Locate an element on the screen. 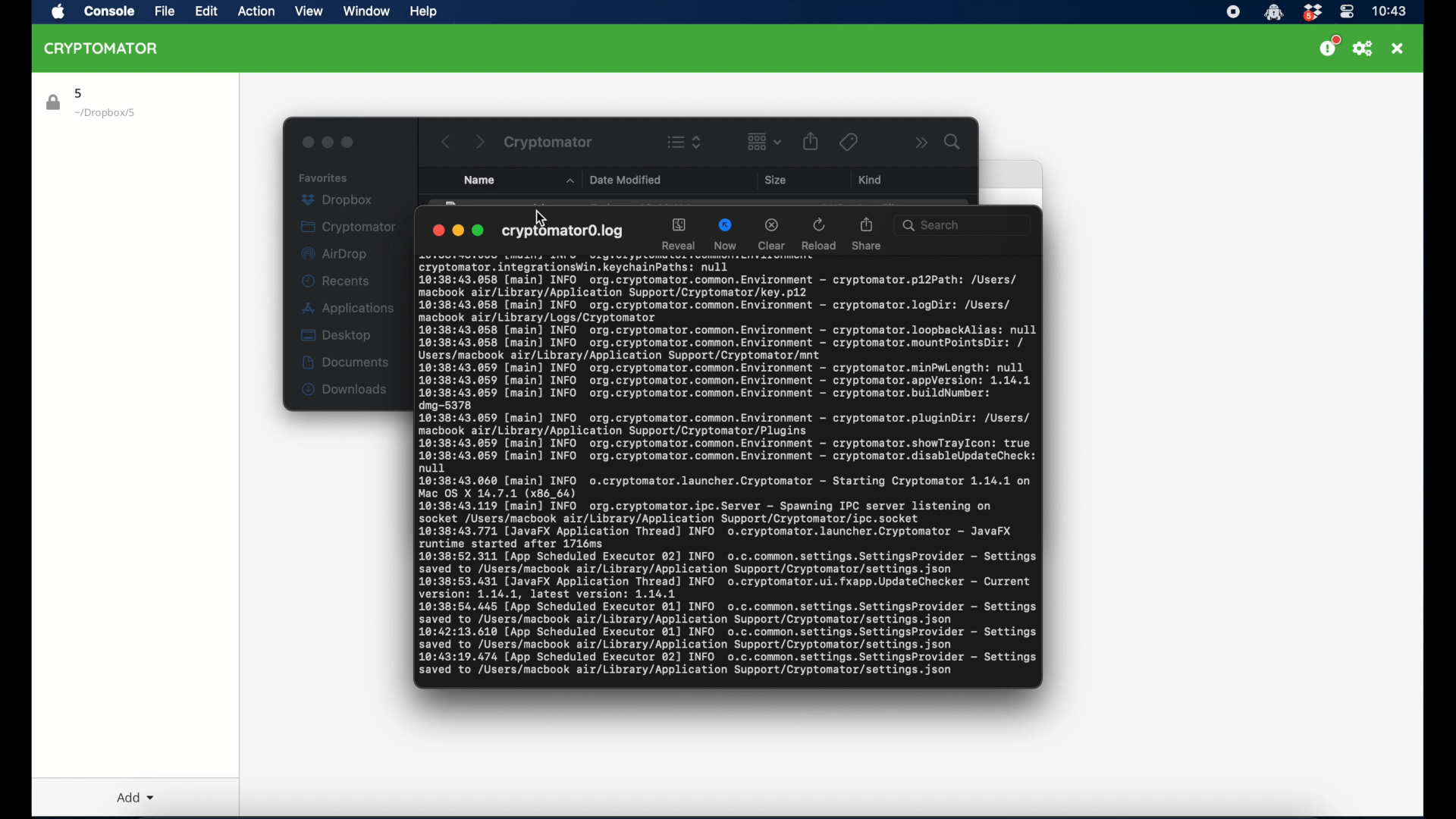 The width and height of the screenshot is (1456, 819). downloads is located at coordinates (346, 390).